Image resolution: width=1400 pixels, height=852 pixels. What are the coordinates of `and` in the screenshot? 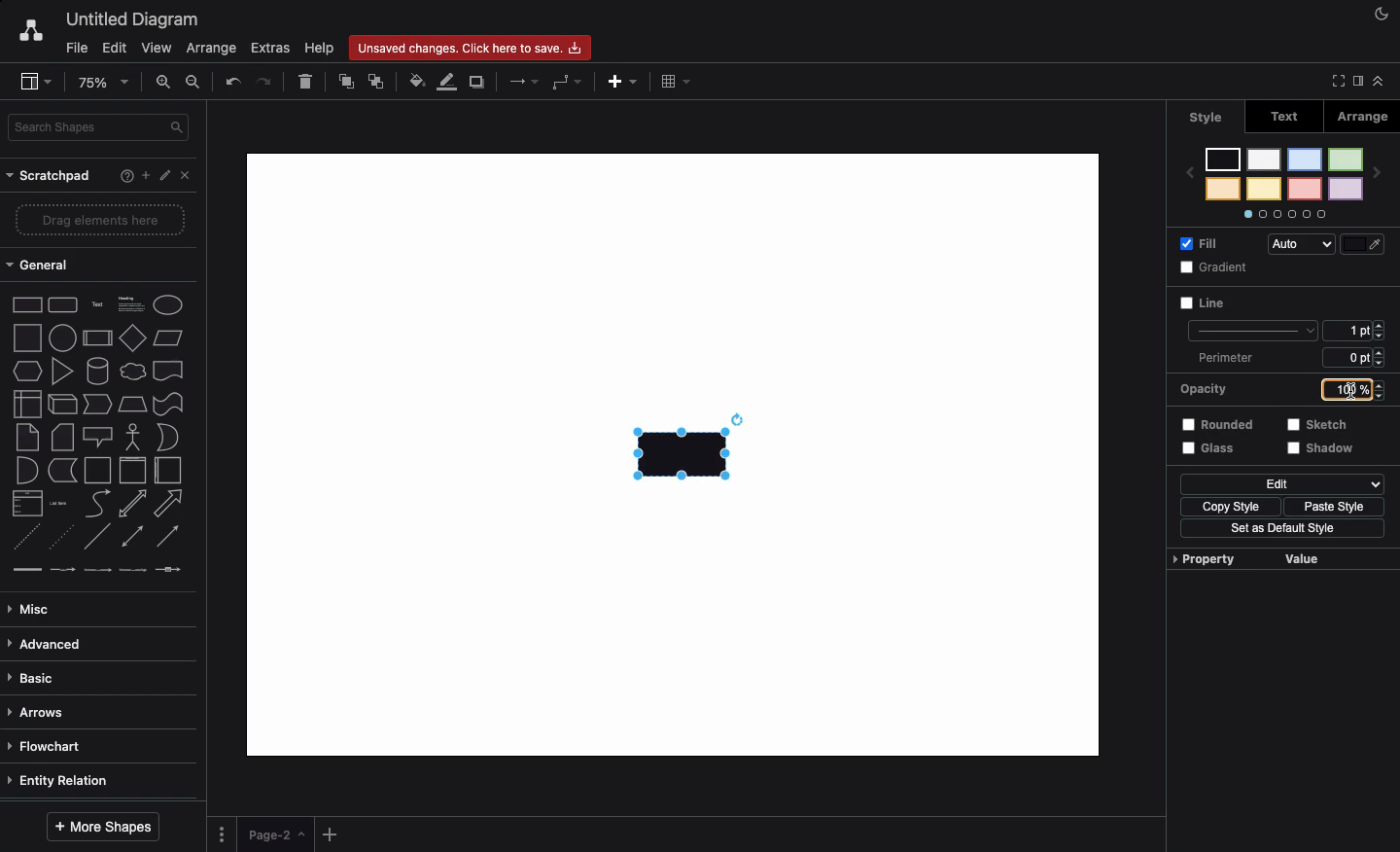 It's located at (26, 470).